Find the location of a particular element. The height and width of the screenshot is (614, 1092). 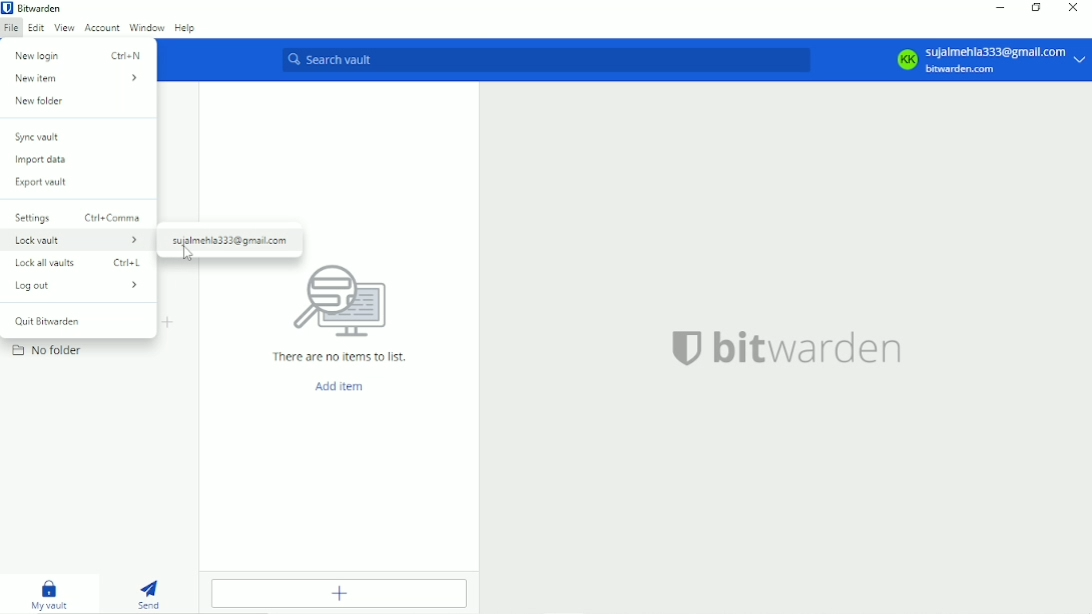

There are no items to list is located at coordinates (337, 312).